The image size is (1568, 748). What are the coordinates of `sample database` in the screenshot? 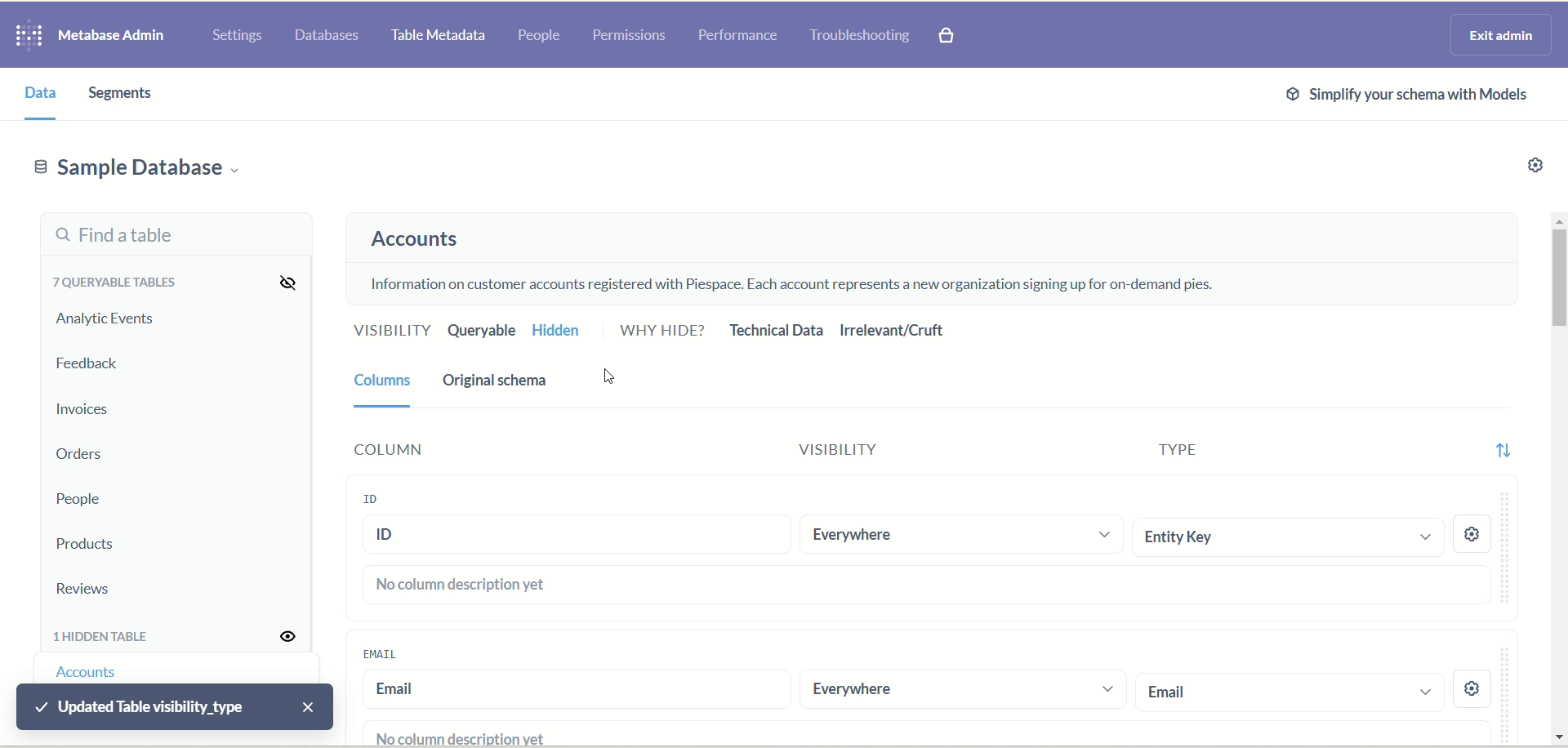 It's located at (158, 172).